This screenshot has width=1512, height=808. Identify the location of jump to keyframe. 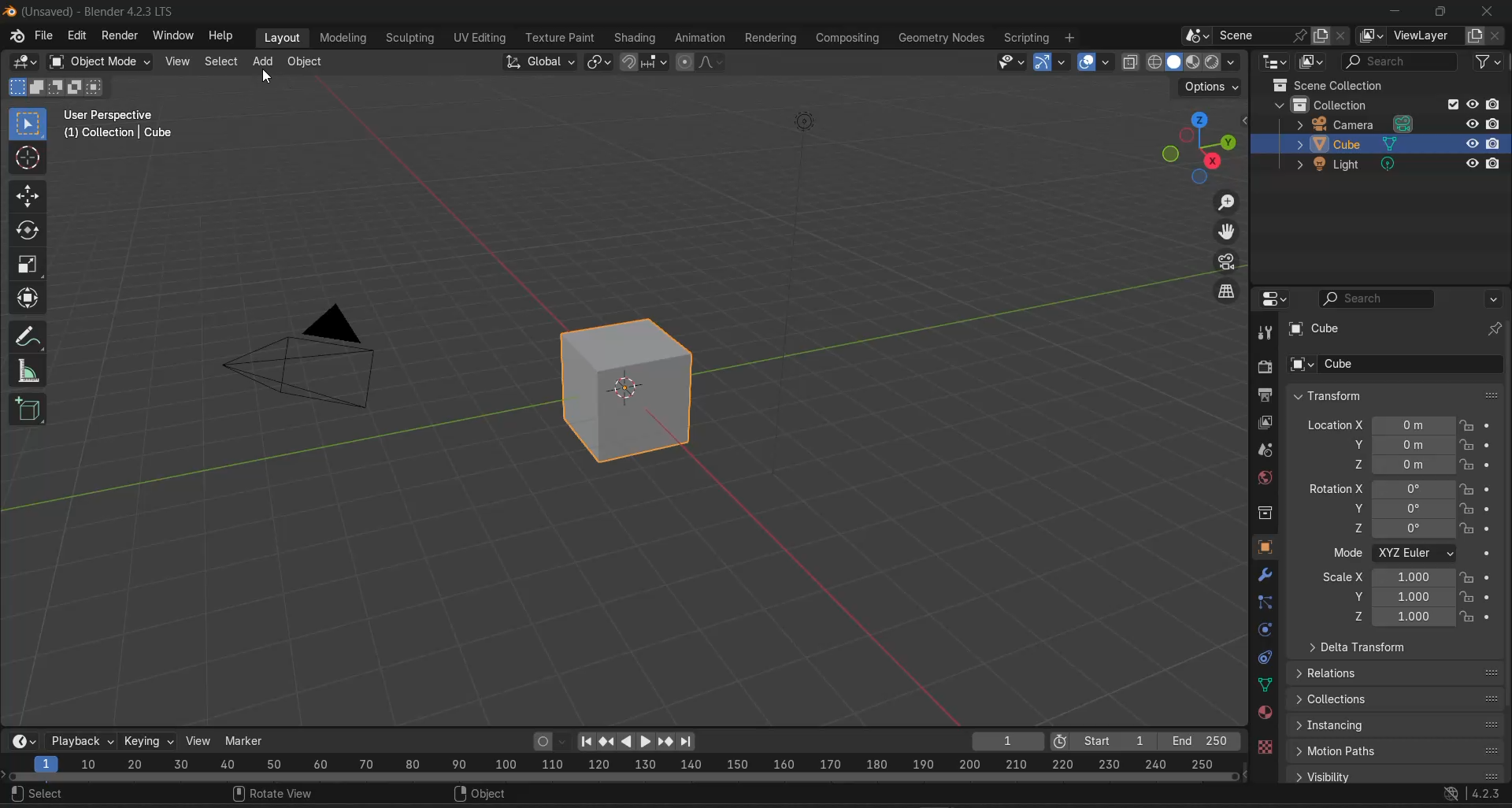
(667, 742).